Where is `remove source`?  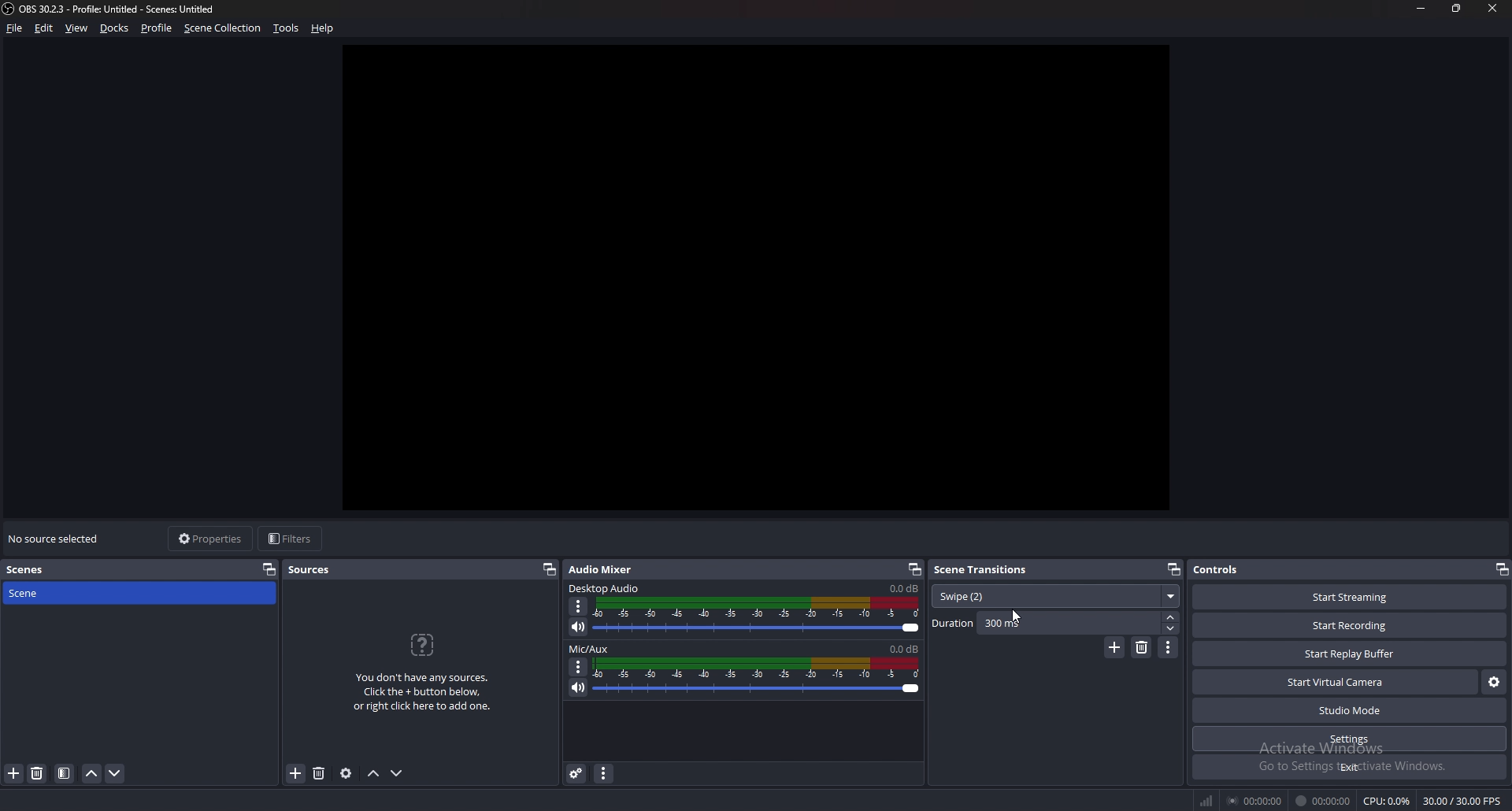
remove source is located at coordinates (319, 774).